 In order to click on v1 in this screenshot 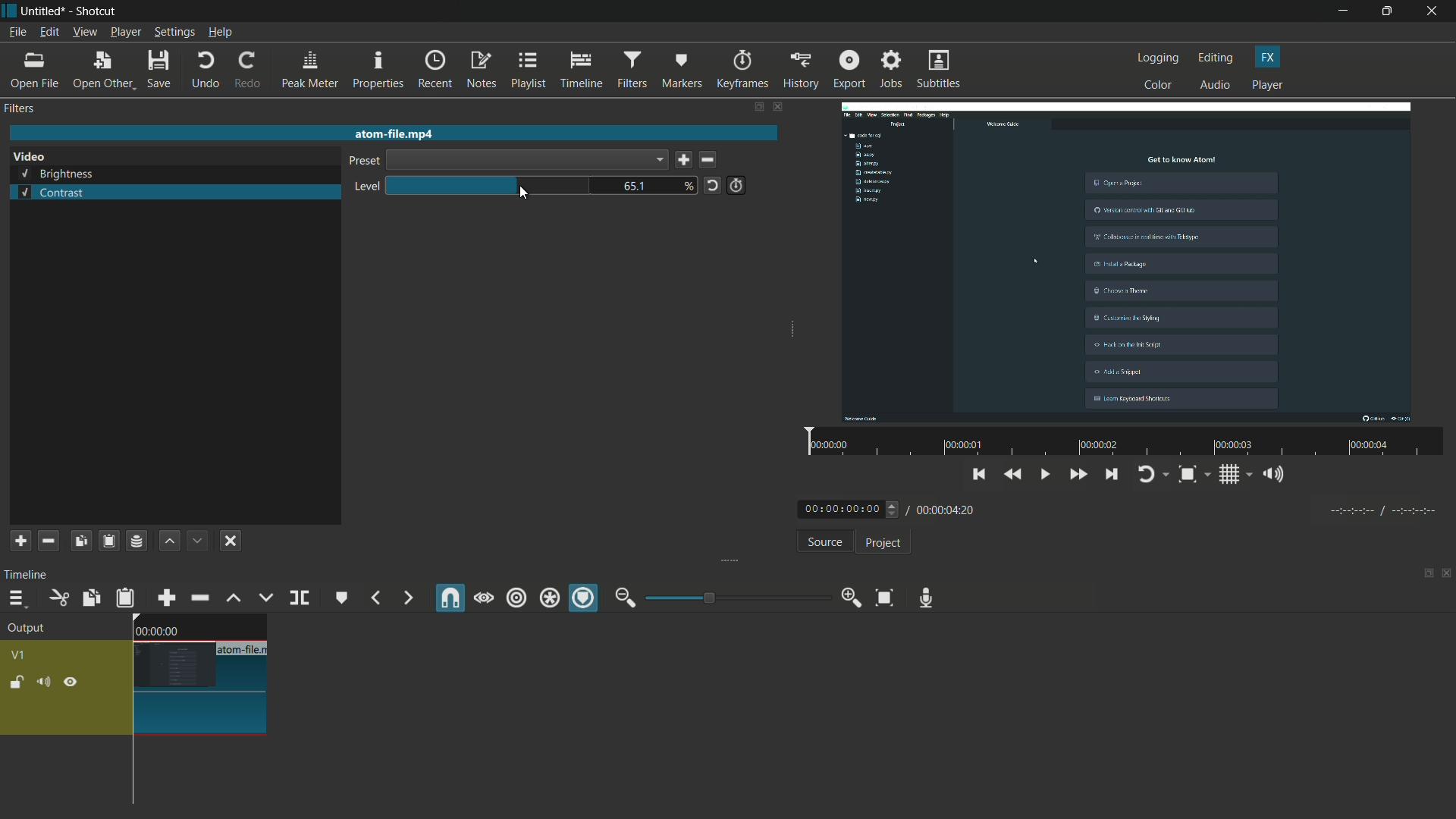, I will do `click(21, 654)`.